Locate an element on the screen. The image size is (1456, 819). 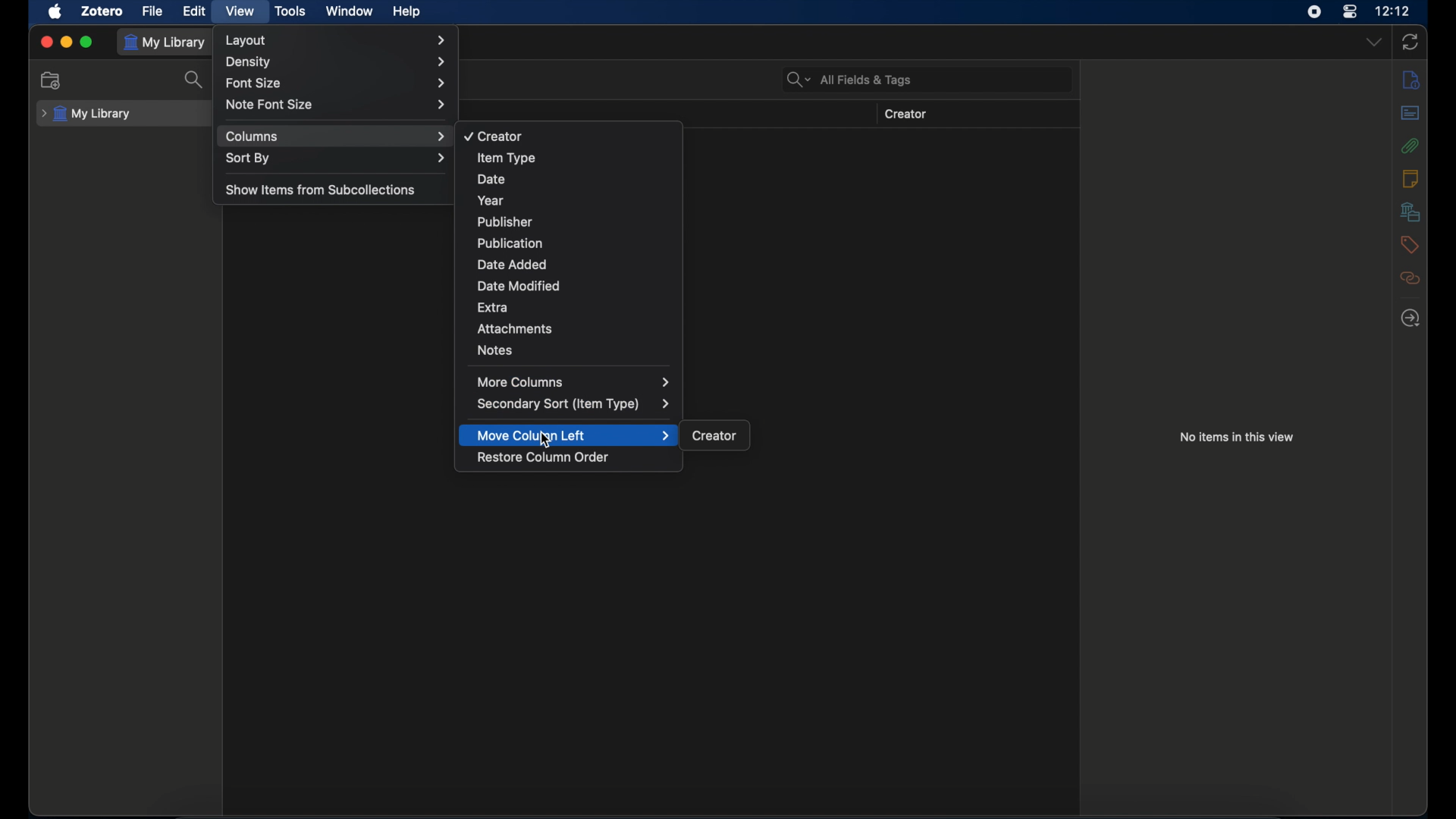
maximize is located at coordinates (86, 42).